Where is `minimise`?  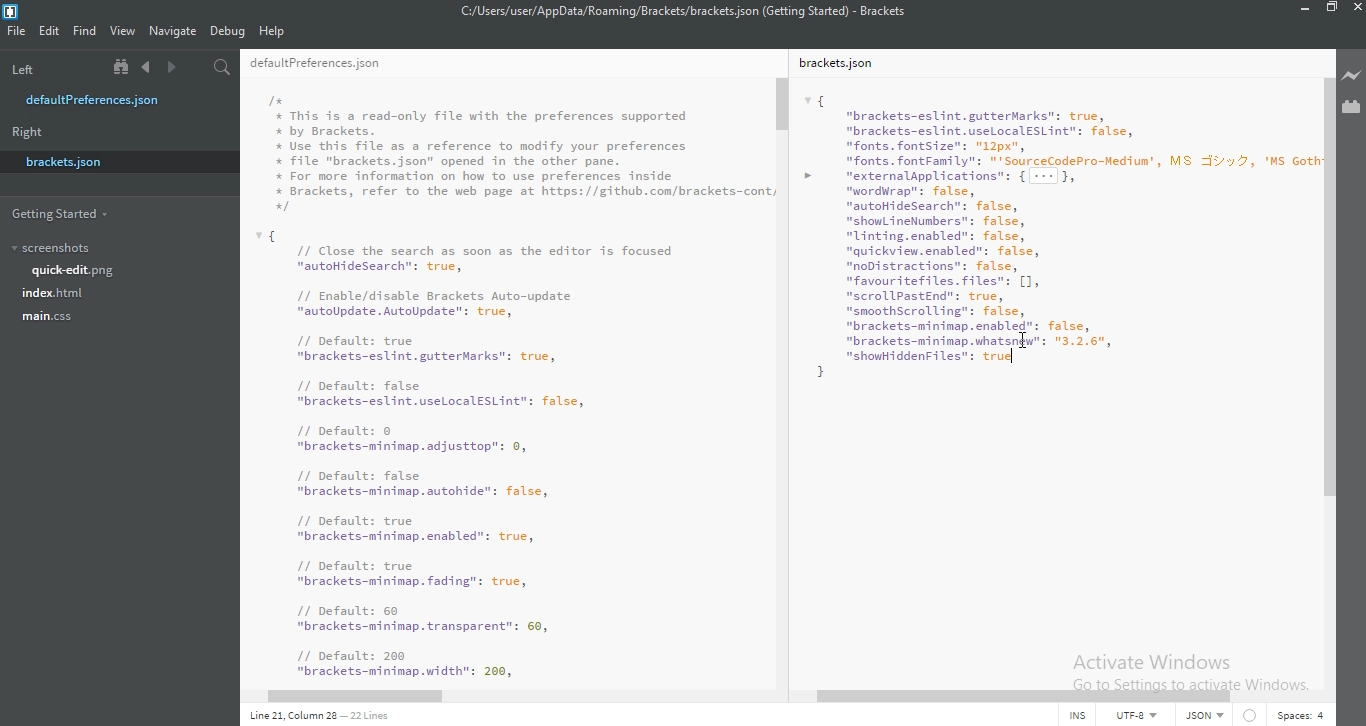 minimise is located at coordinates (1301, 11).